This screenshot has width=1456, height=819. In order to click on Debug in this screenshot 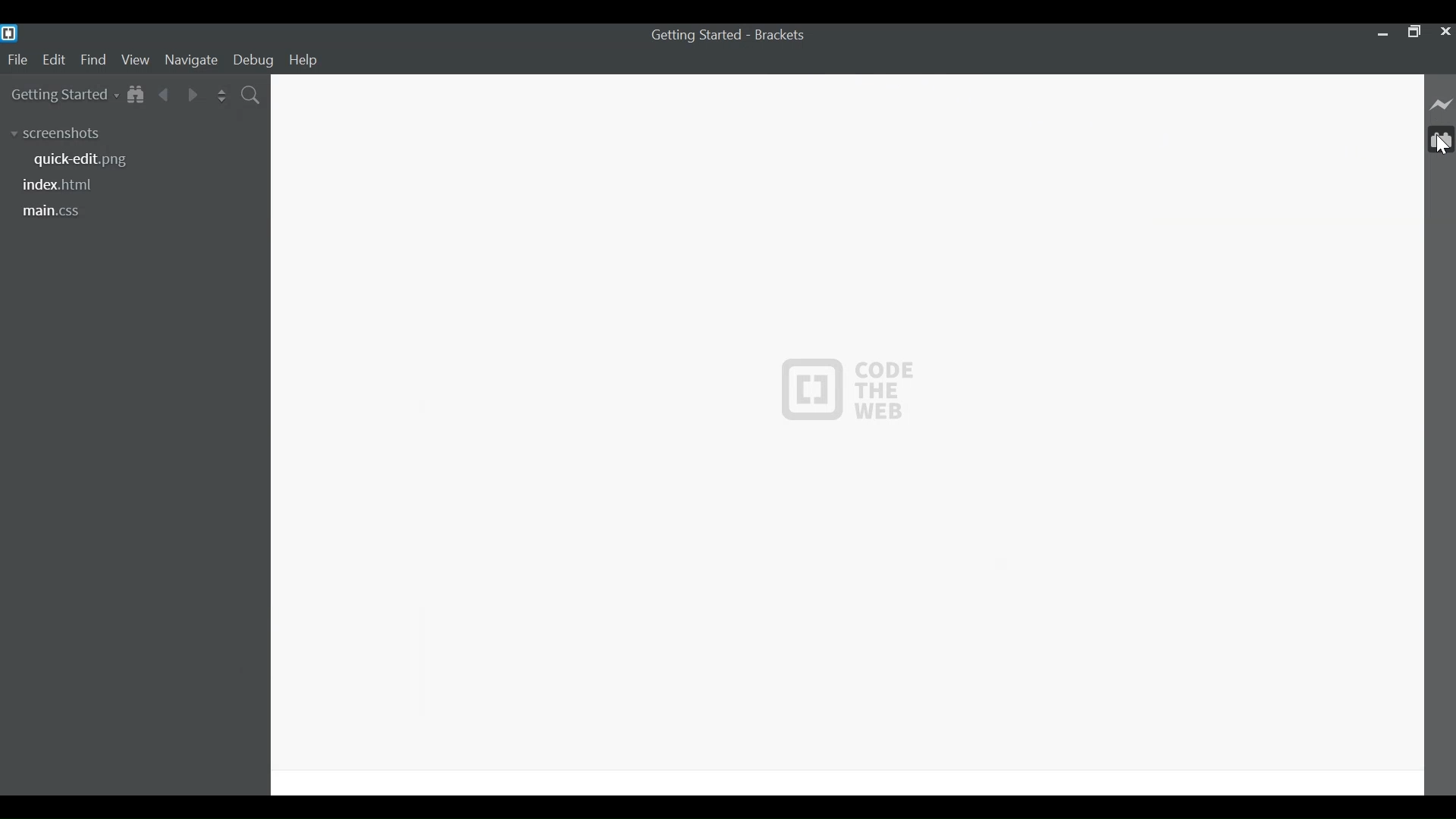, I will do `click(254, 61)`.